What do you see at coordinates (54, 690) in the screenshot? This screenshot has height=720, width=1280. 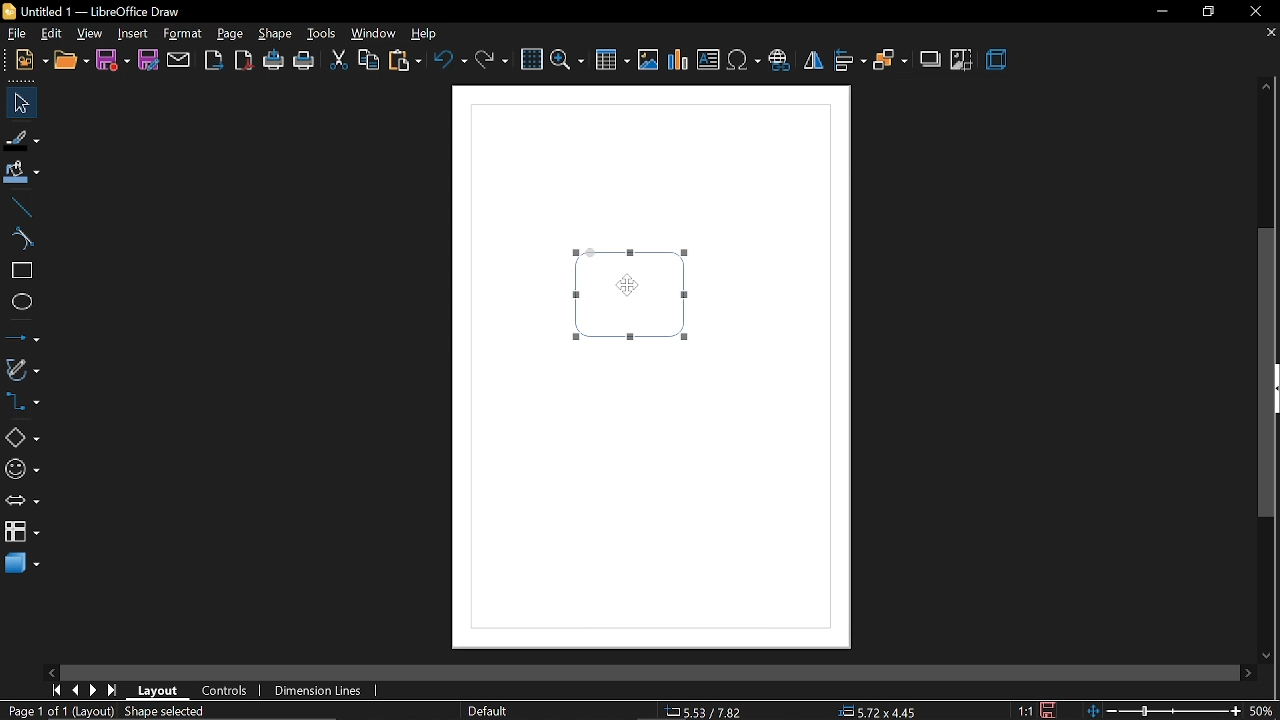 I see `go to first page` at bounding box center [54, 690].